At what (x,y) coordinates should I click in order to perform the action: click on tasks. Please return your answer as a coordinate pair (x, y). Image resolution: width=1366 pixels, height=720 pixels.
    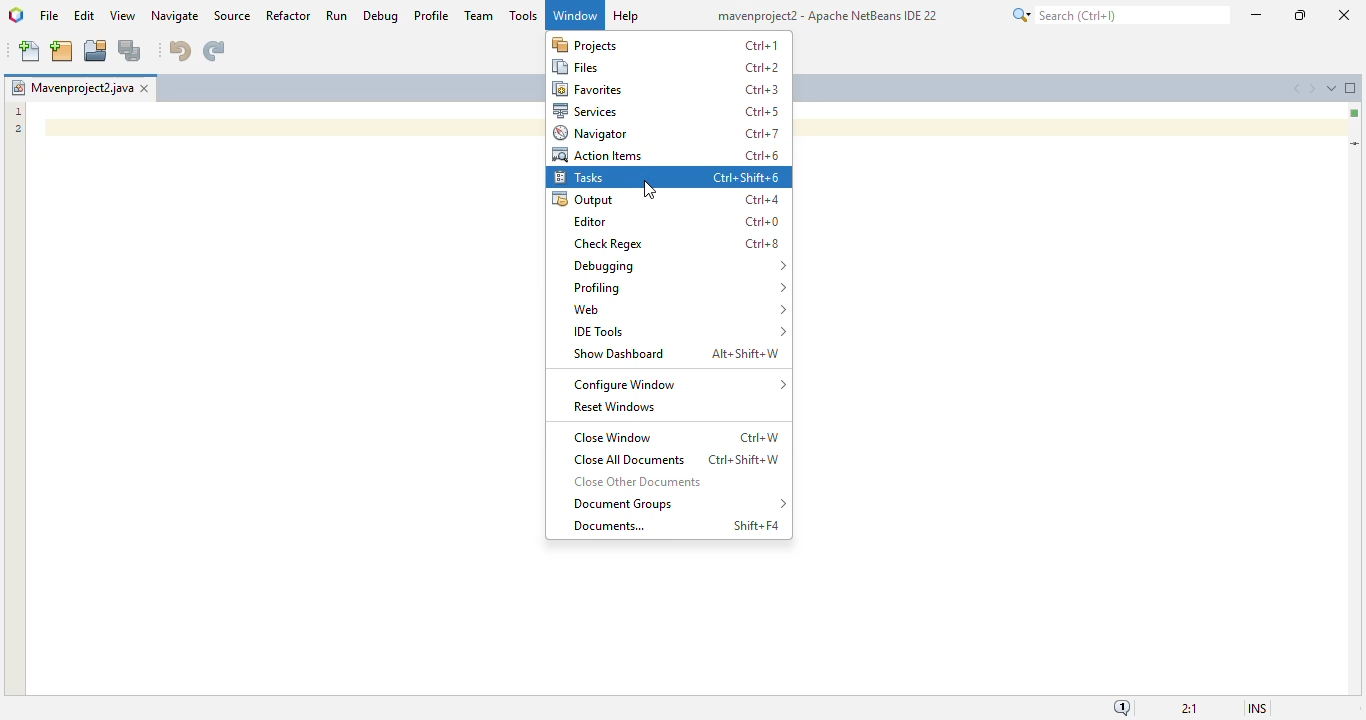
    Looking at the image, I should click on (578, 178).